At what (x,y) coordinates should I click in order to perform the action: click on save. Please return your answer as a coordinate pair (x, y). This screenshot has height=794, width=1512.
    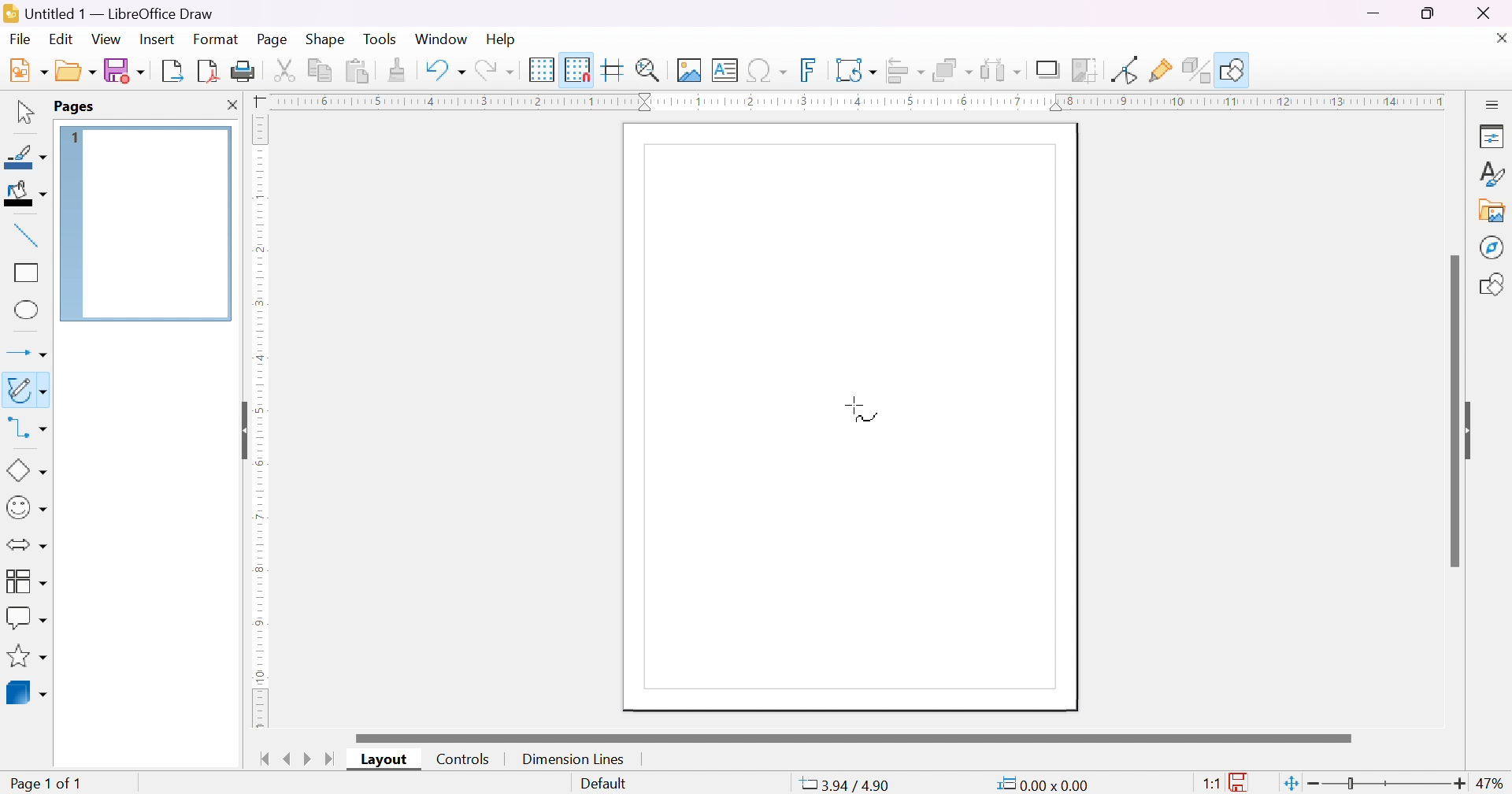
    Looking at the image, I should click on (126, 70).